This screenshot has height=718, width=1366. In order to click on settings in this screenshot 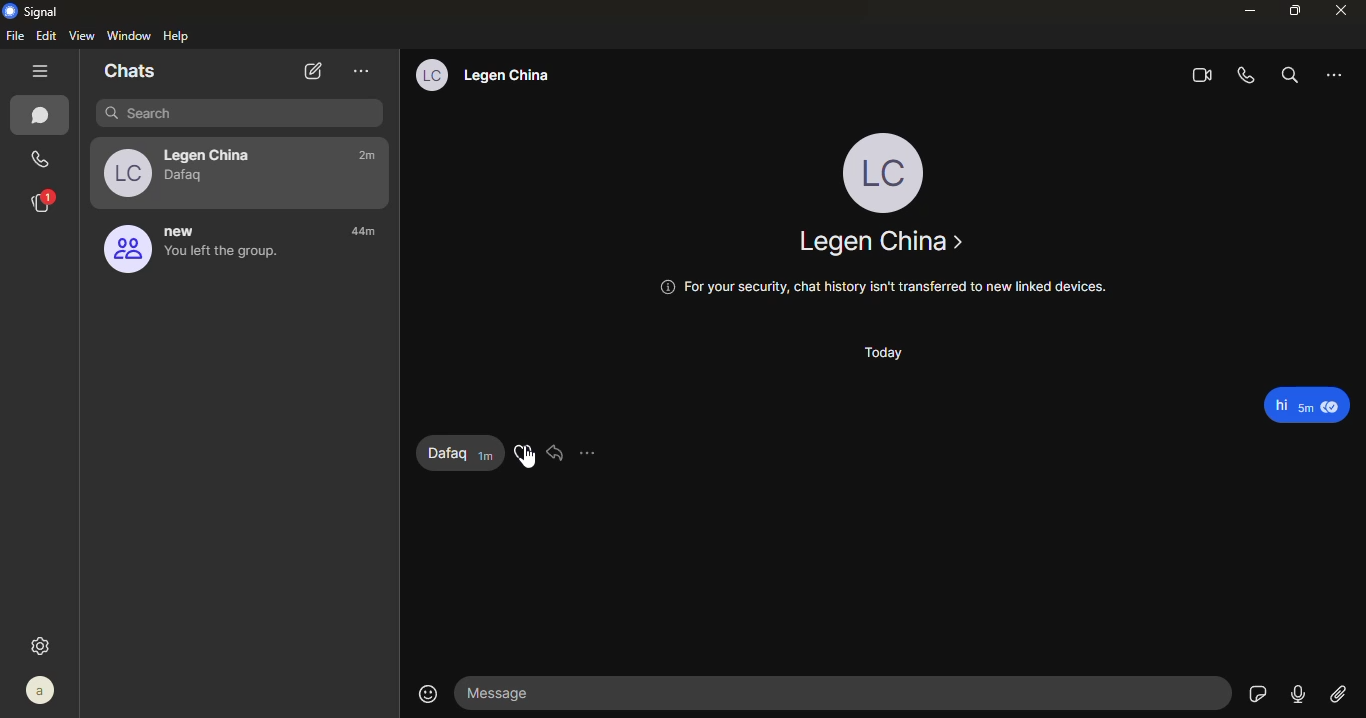, I will do `click(43, 645)`.